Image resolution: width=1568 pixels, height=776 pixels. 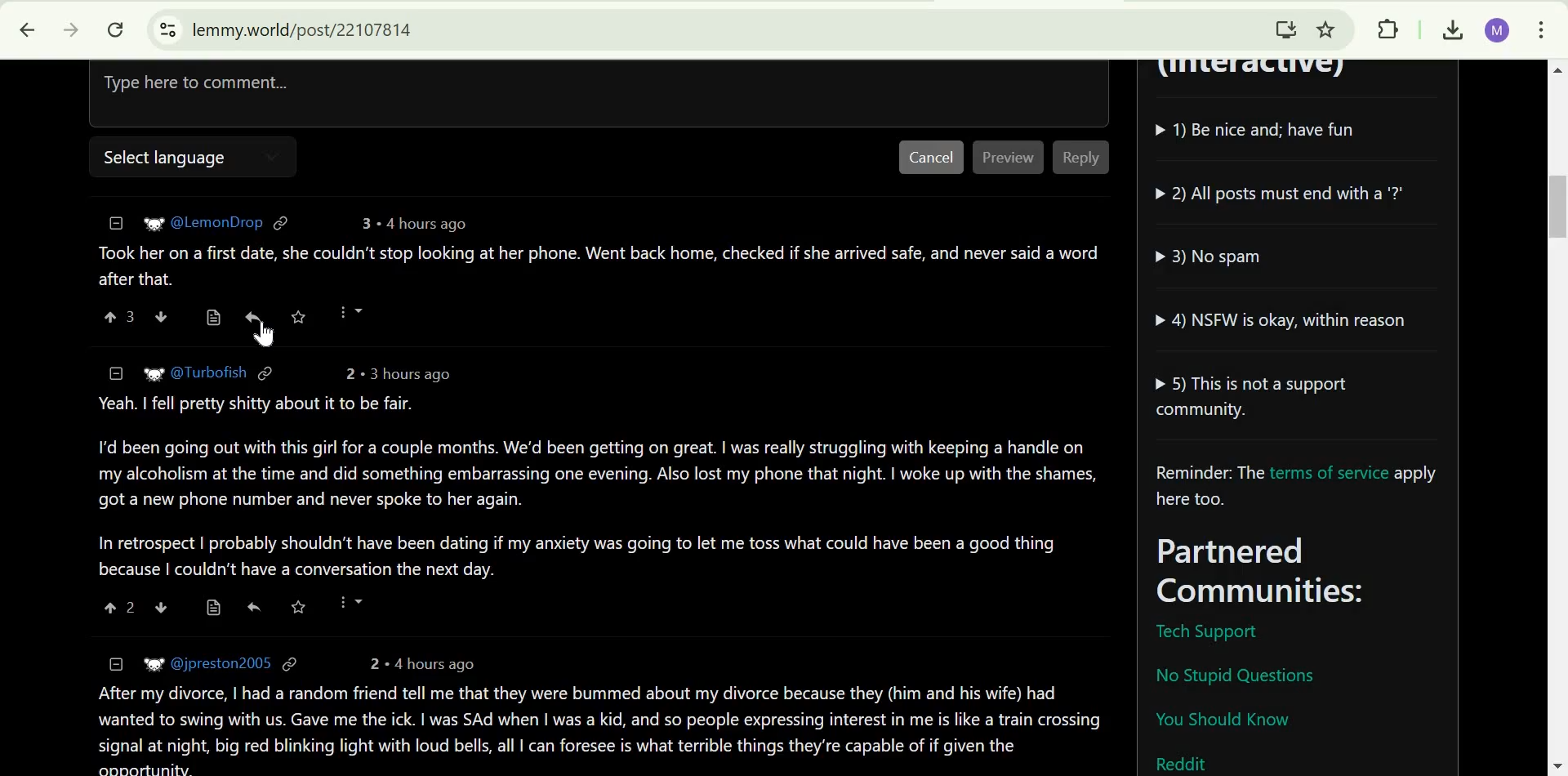 I want to click on View site information, so click(x=166, y=30).